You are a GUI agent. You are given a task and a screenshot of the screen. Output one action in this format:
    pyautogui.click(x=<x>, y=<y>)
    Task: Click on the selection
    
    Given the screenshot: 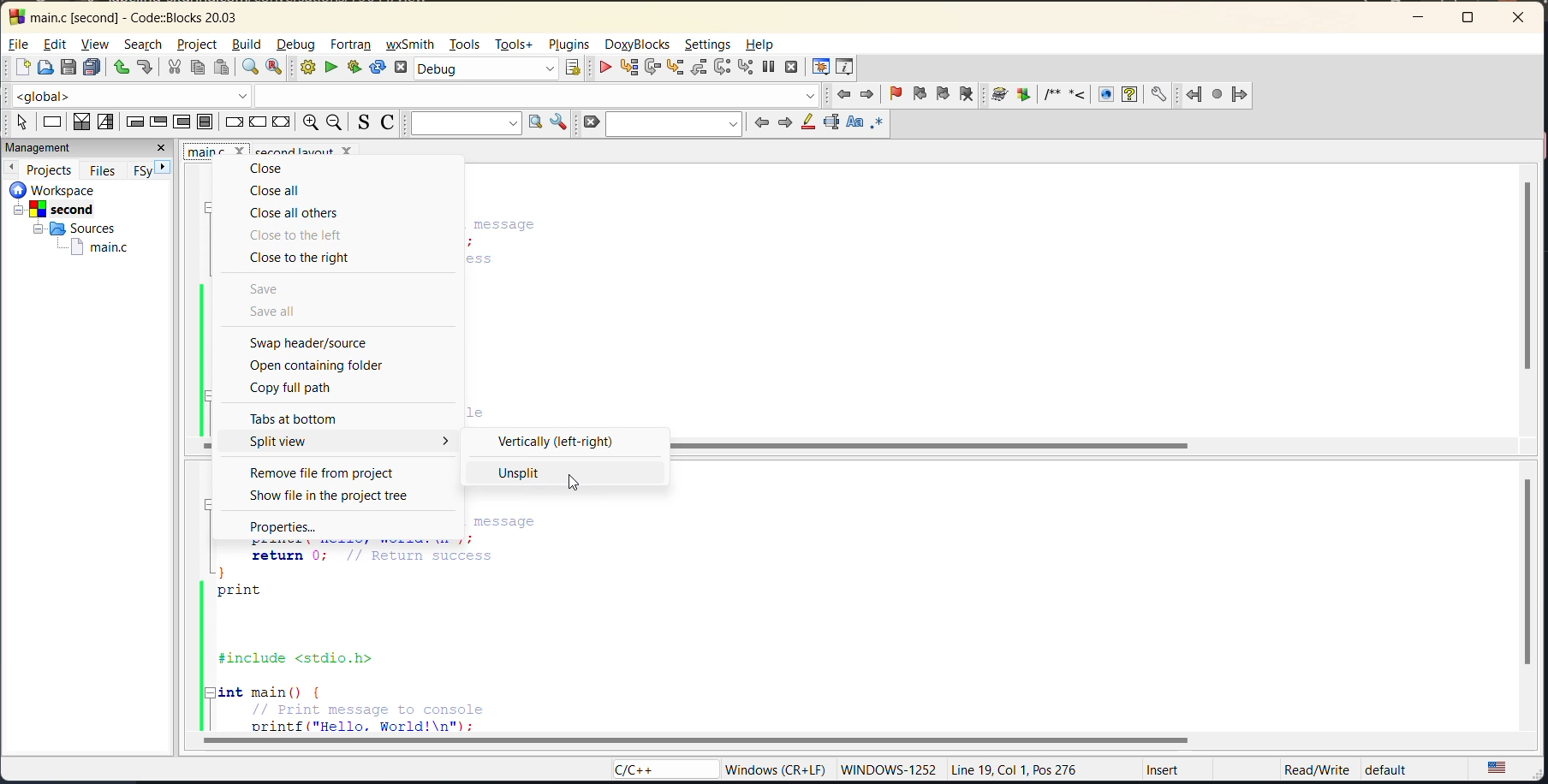 What is the action you would take?
    pyautogui.click(x=104, y=122)
    